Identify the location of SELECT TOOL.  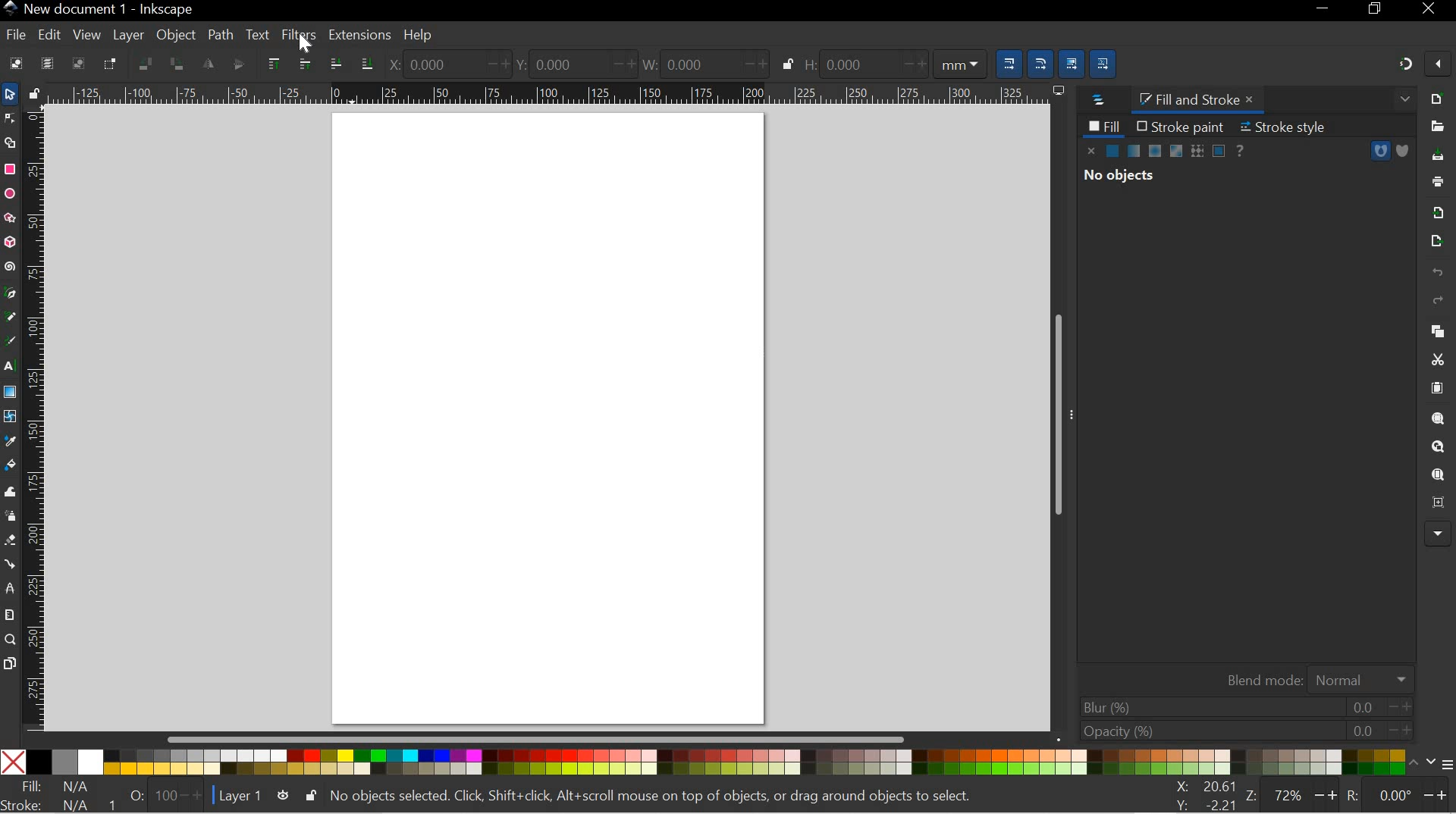
(10, 94).